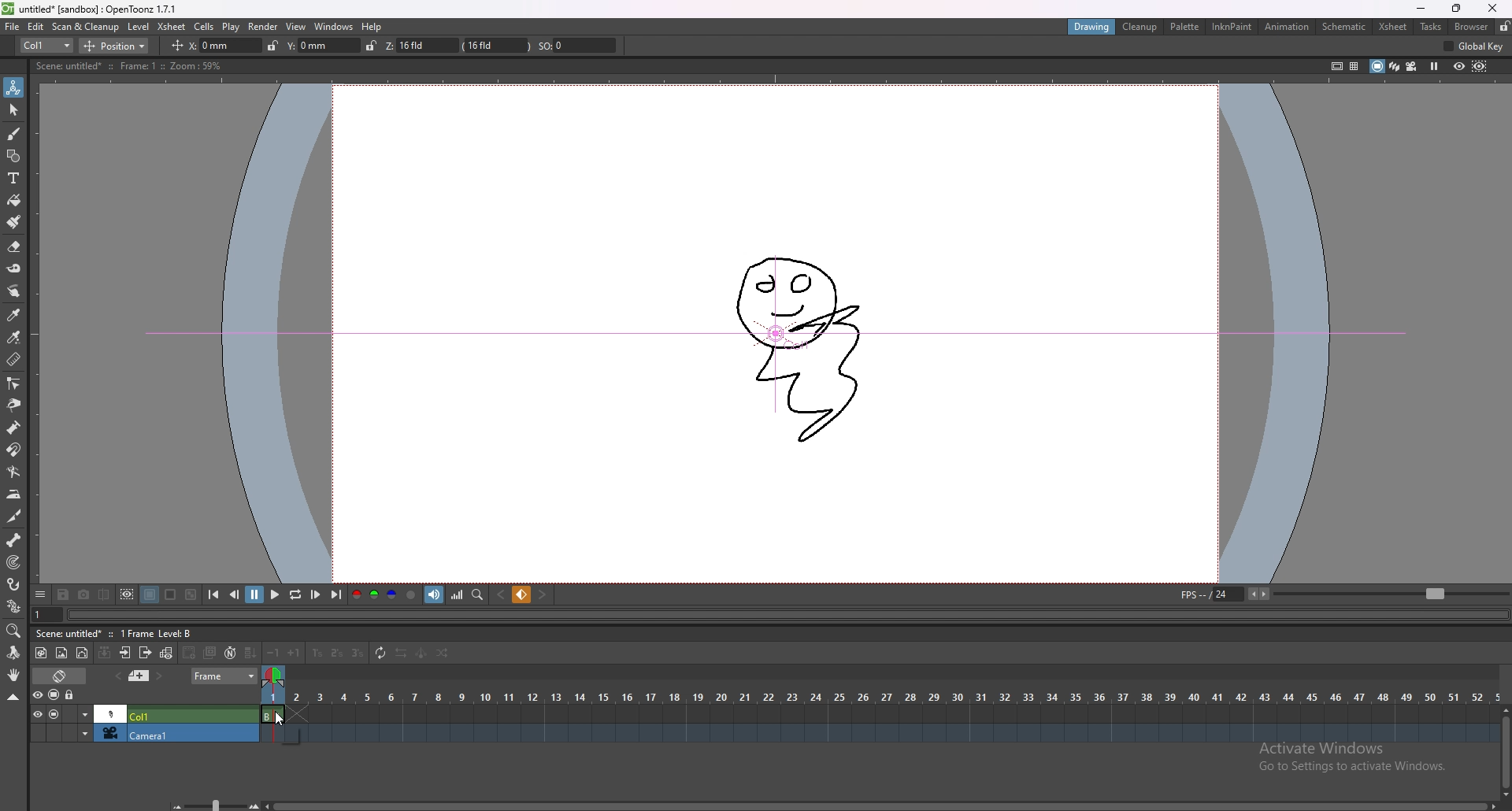 This screenshot has height=811, width=1512. I want to click on loop, so click(295, 594).